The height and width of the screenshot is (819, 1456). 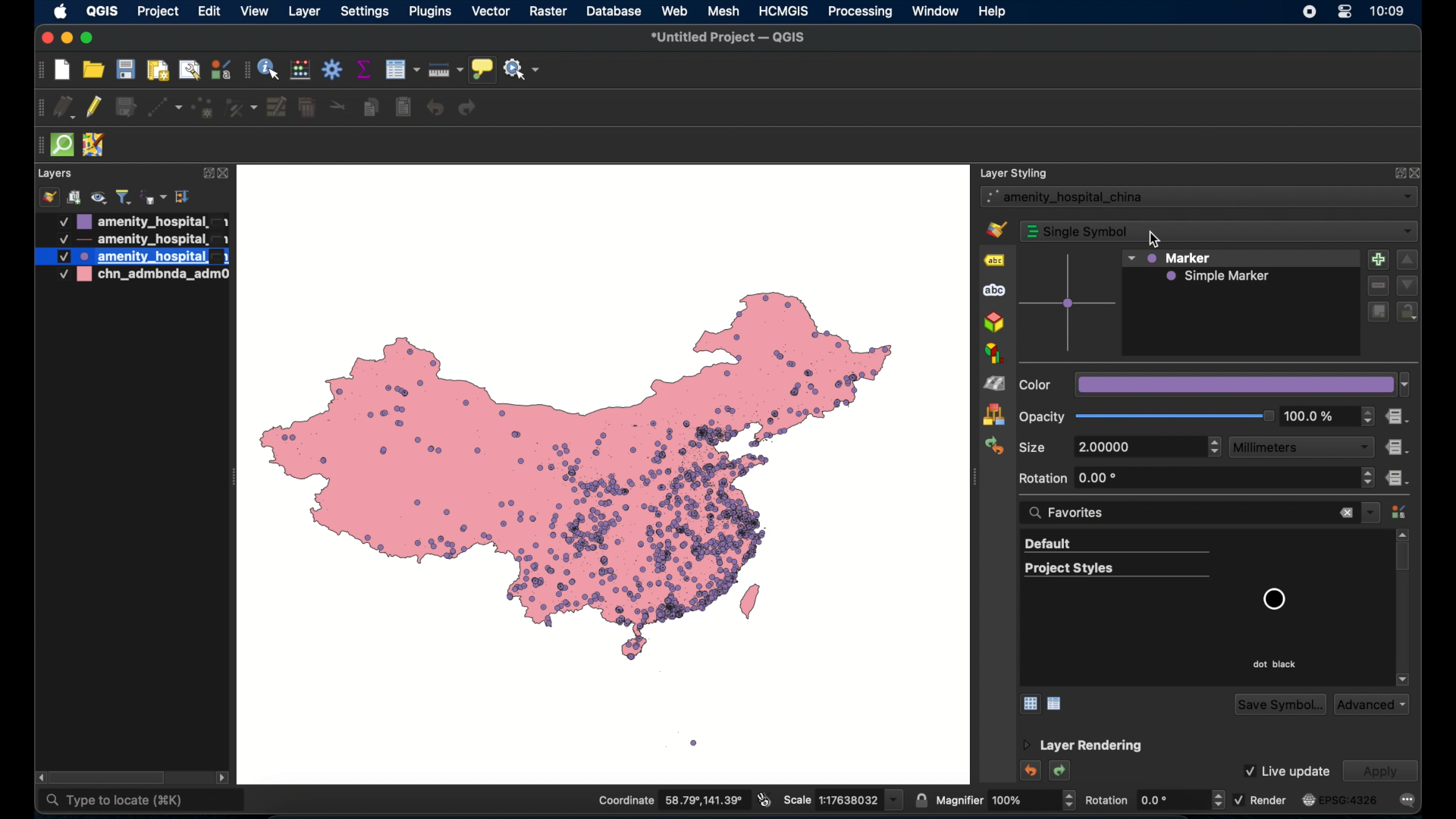 I want to click on data defined override, so click(x=1398, y=479).